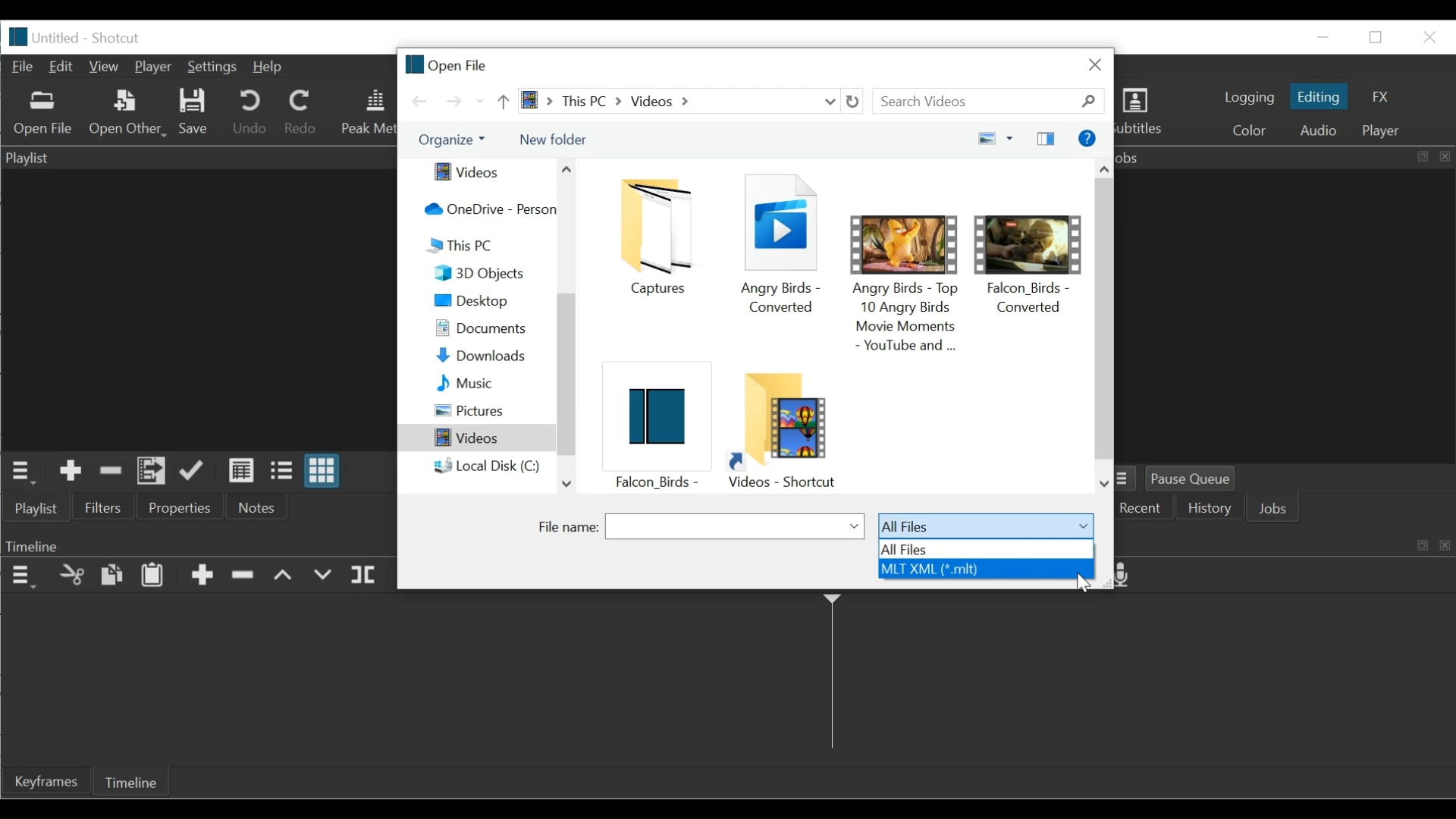  What do you see at coordinates (565, 483) in the screenshot?
I see `Scroll down` at bounding box center [565, 483].